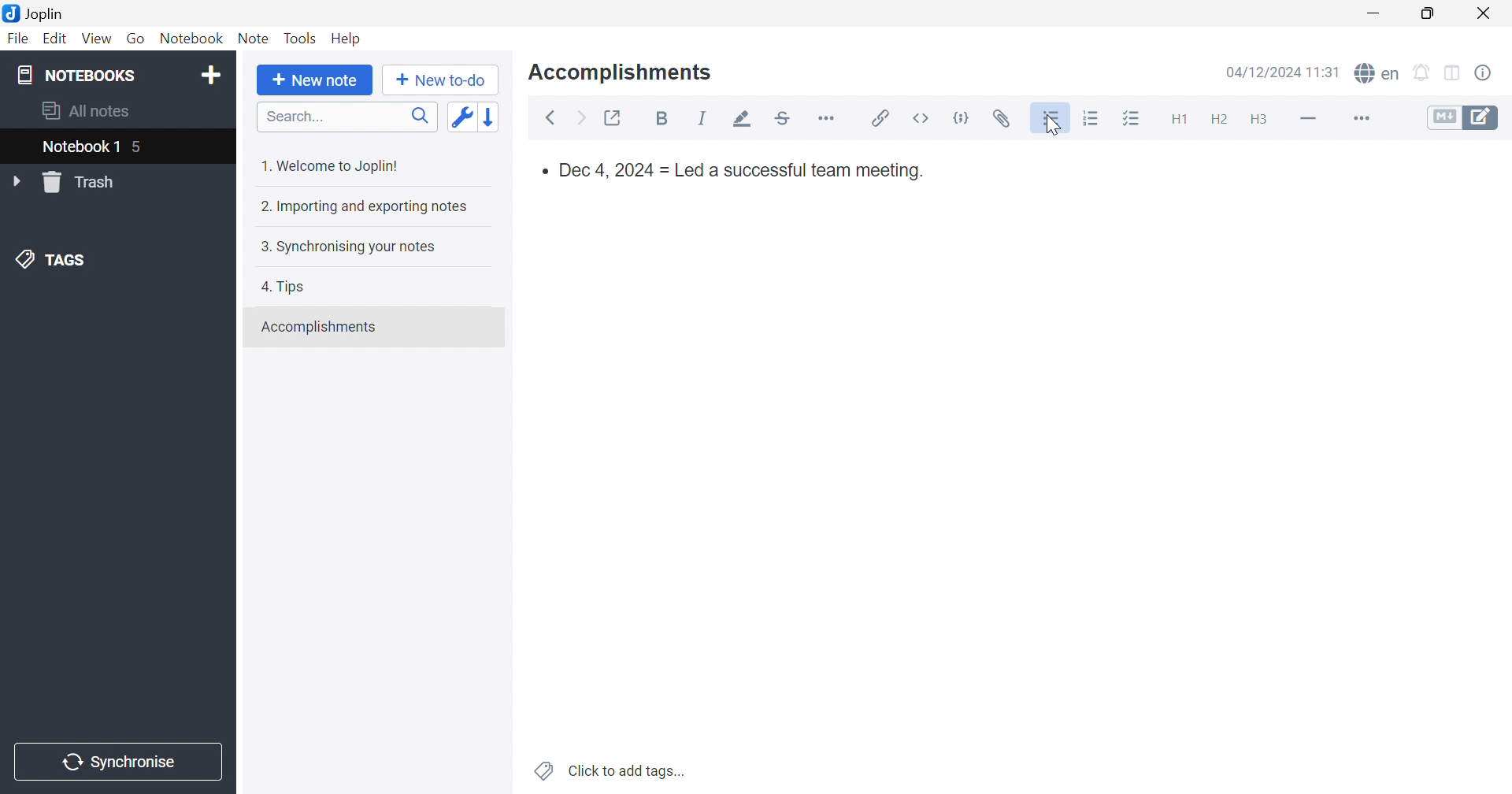 The height and width of the screenshot is (794, 1512). What do you see at coordinates (1372, 14) in the screenshot?
I see `Minimize` at bounding box center [1372, 14].